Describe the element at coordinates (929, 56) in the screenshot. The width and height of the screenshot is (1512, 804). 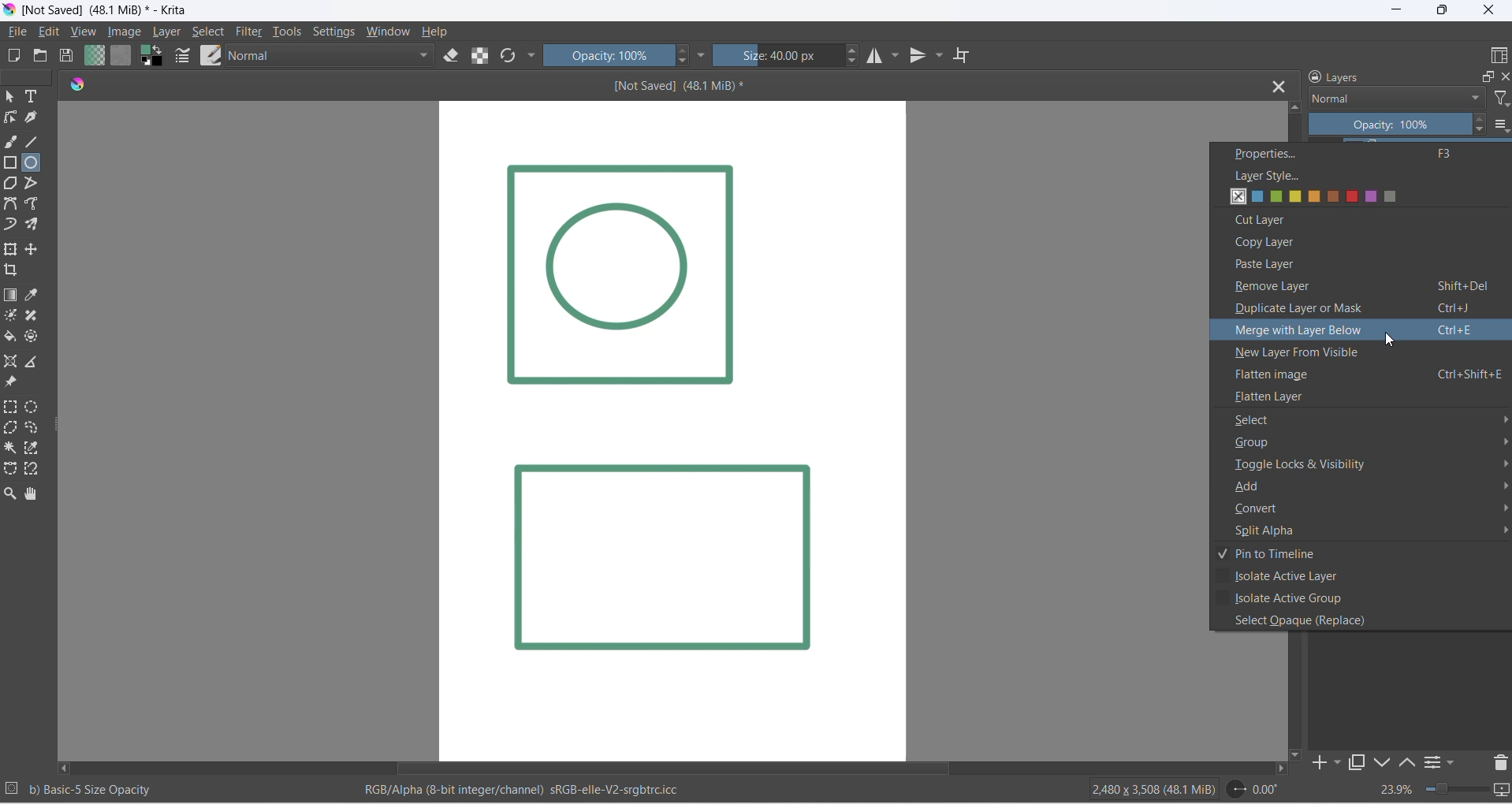
I see `vertical mirror tool` at that location.